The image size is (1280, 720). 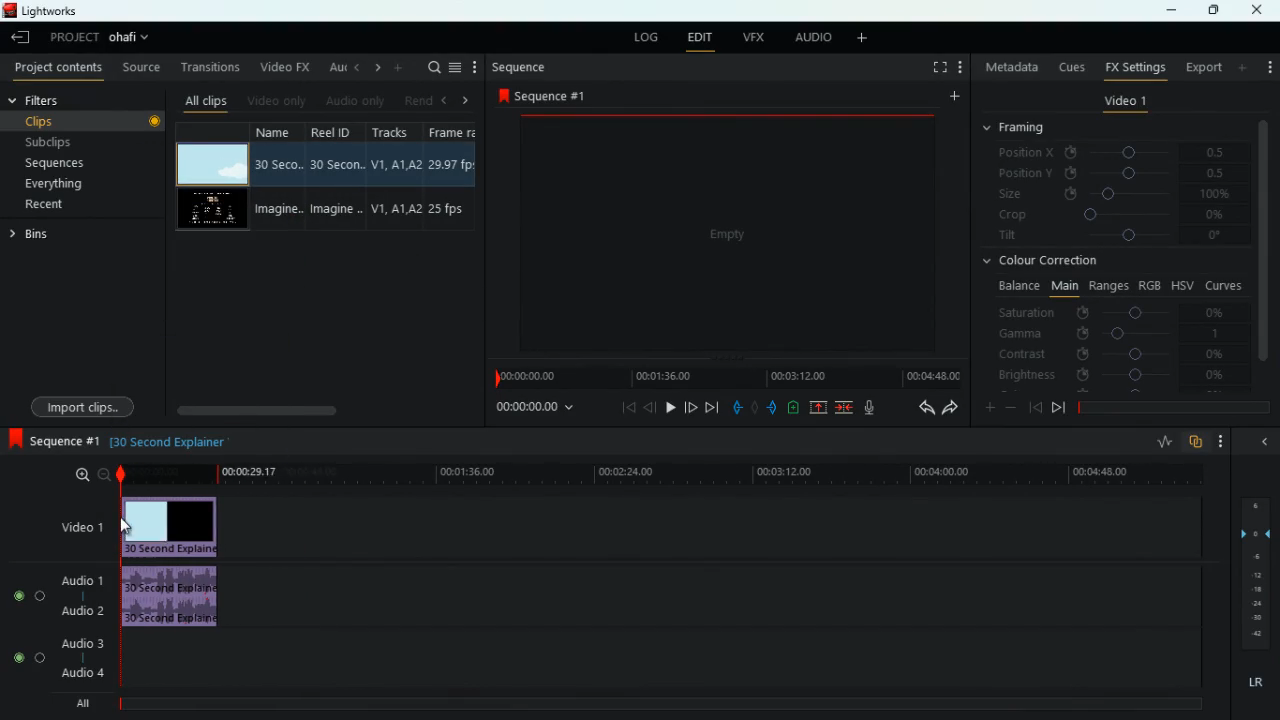 I want to click on ranges, so click(x=1109, y=287).